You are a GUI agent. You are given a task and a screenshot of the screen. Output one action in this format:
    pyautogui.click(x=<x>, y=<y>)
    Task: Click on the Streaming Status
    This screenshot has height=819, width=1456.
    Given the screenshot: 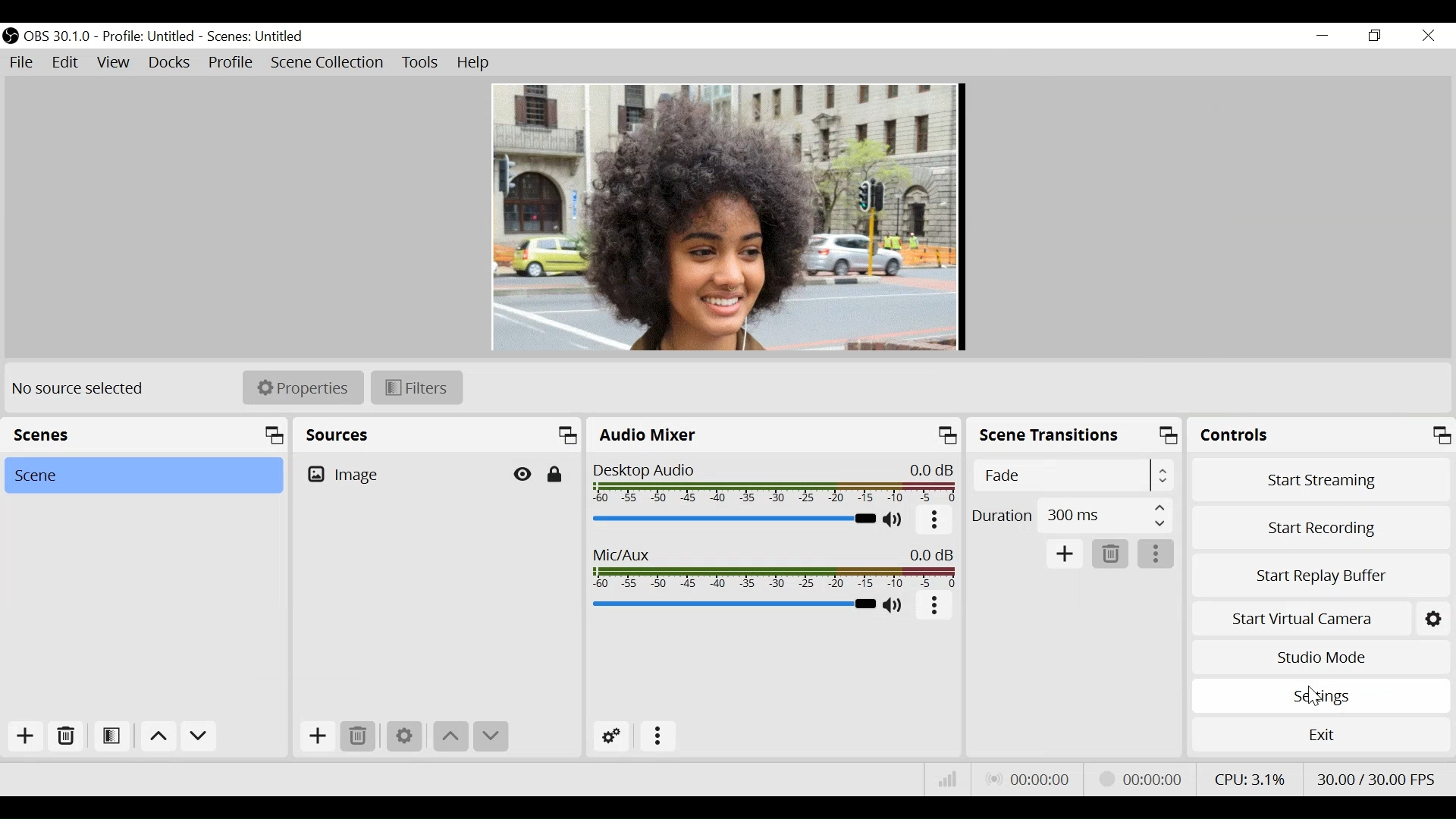 What is the action you would take?
    pyautogui.click(x=1138, y=778)
    